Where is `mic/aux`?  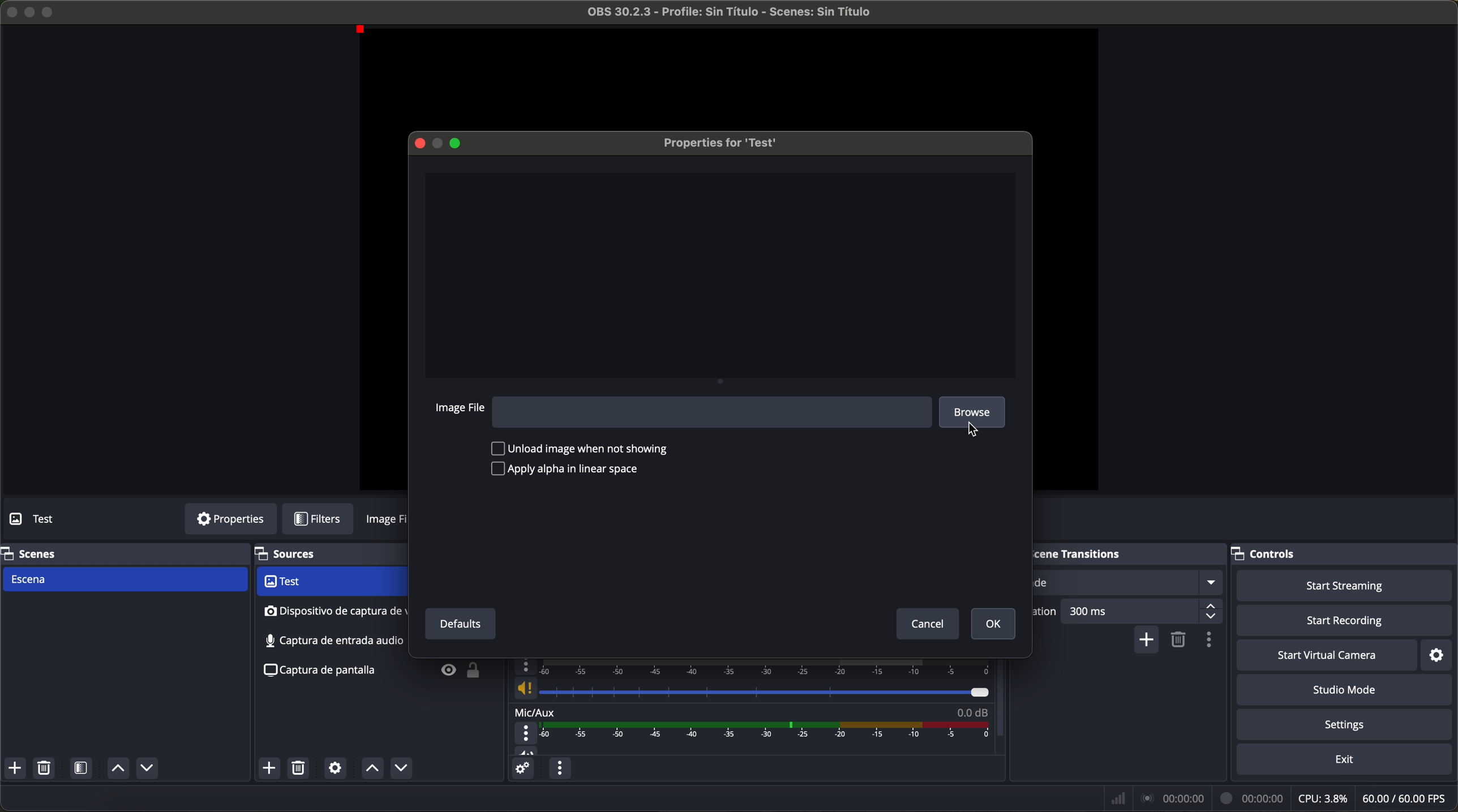
mic/aux is located at coordinates (535, 711).